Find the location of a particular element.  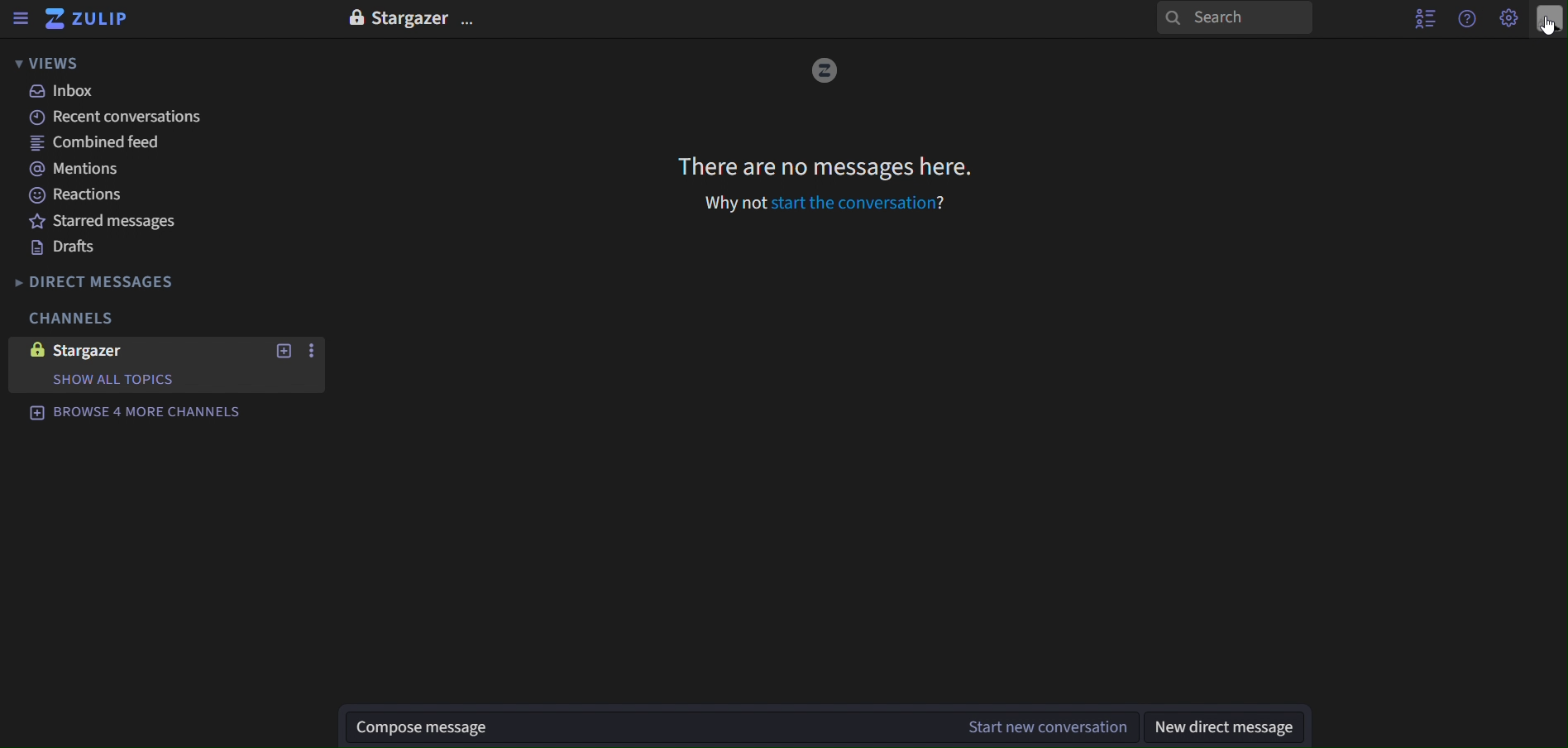

browse 4 more channels is located at coordinates (140, 414).